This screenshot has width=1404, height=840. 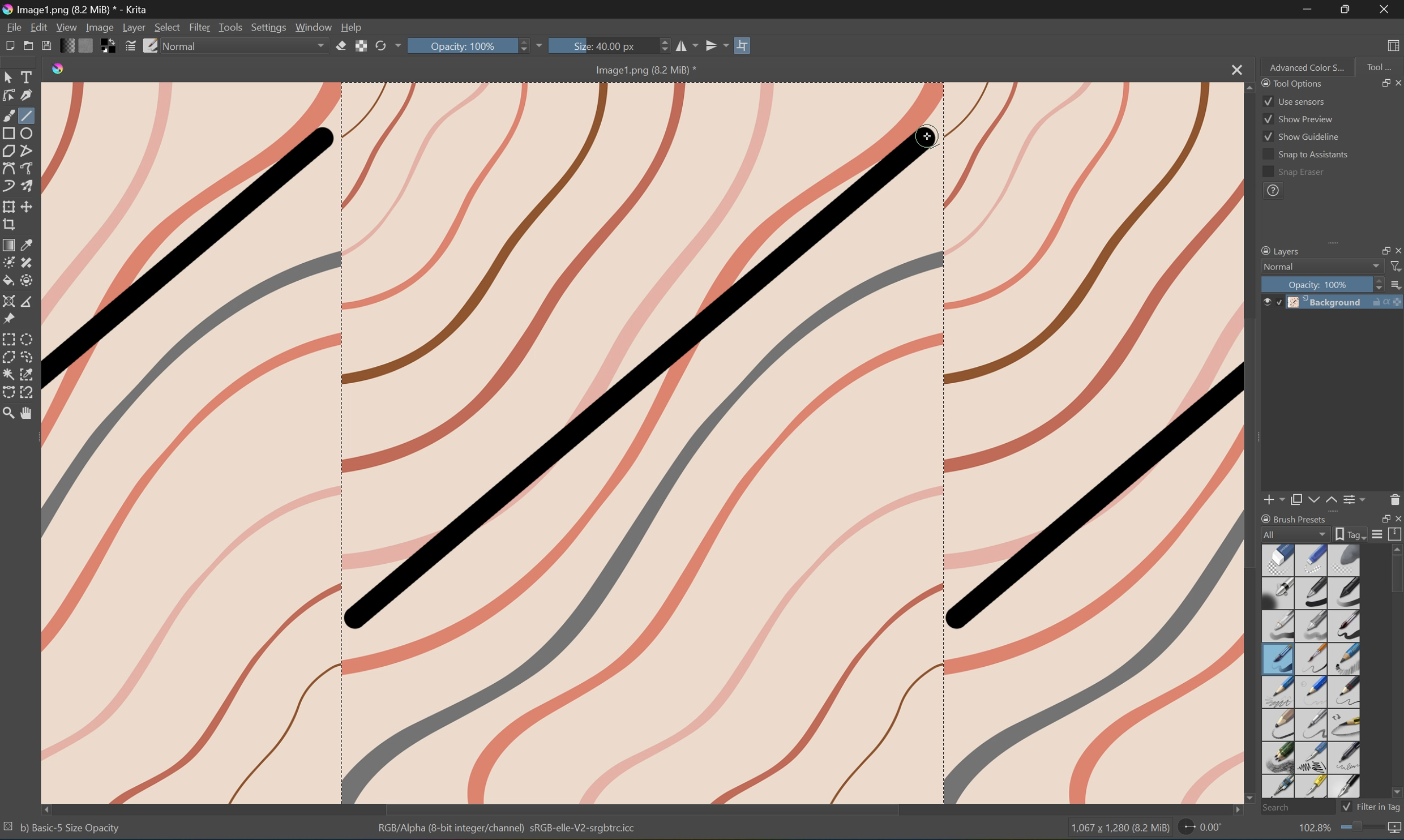 What do you see at coordinates (928, 138) in the screenshot?
I see `Cursor` at bounding box center [928, 138].